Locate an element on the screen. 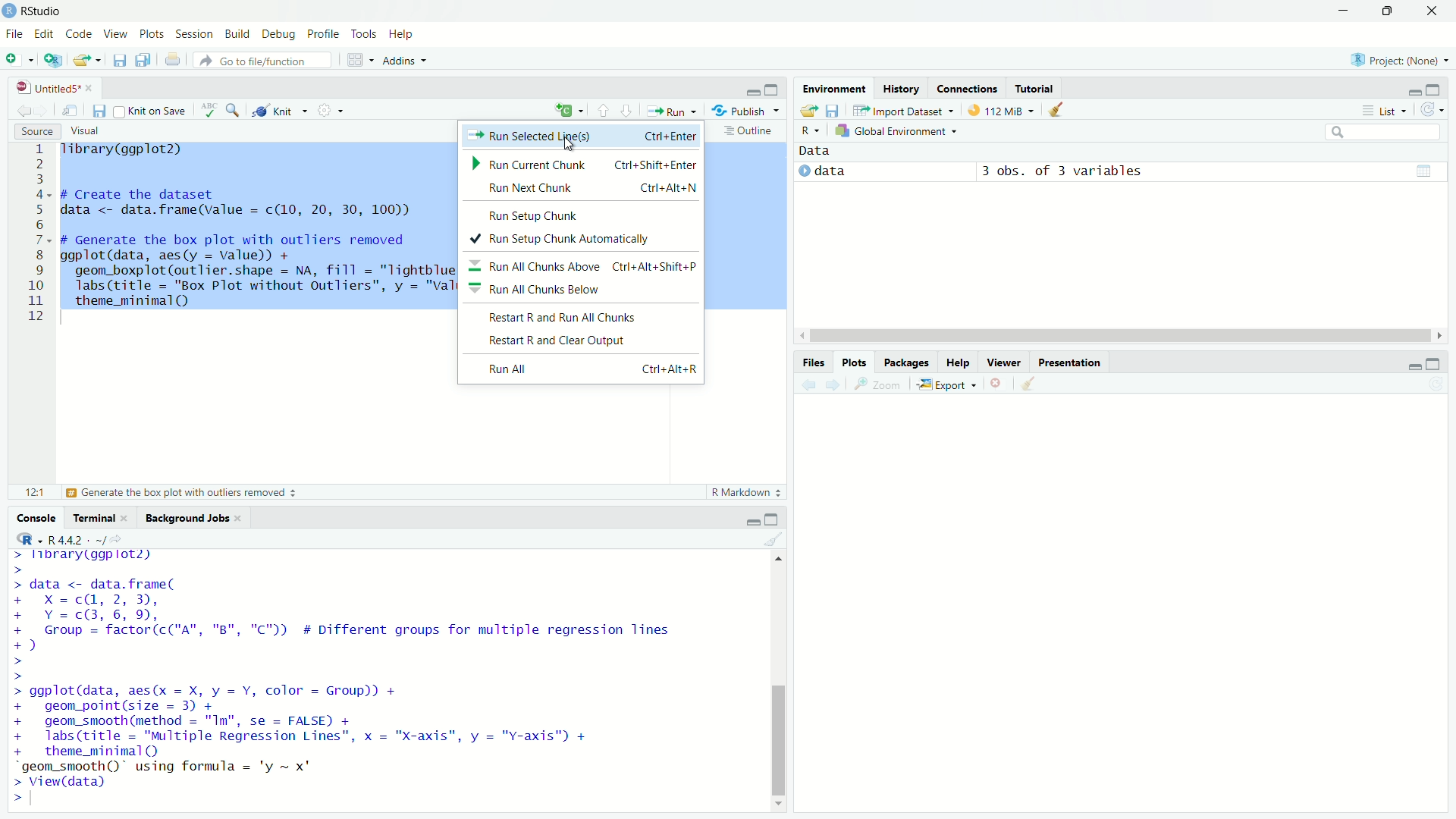 The height and width of the screenshot is (819, 1456). n Build is located at coordinates (237, 35).